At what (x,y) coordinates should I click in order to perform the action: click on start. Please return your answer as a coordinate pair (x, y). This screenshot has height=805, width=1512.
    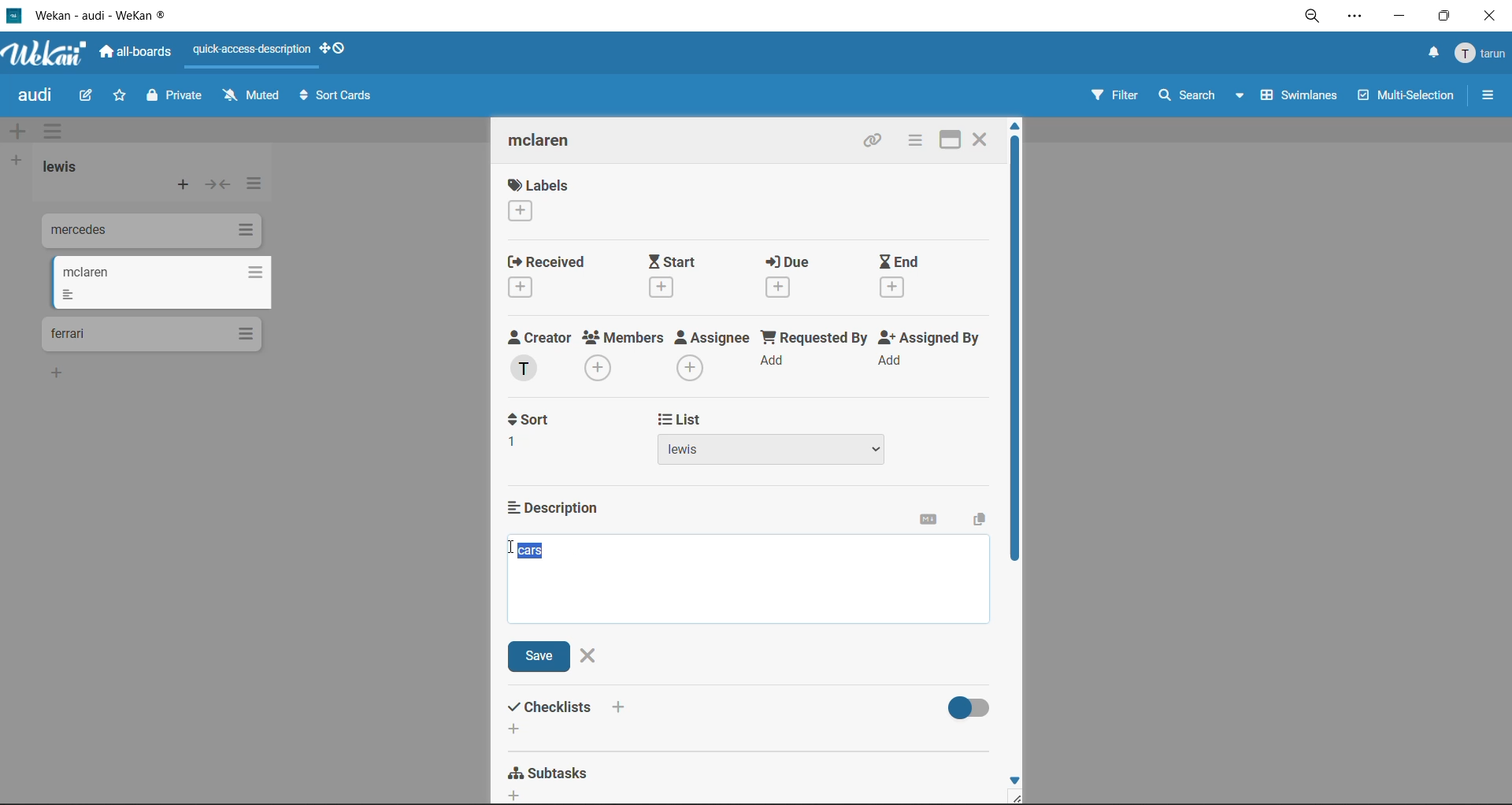
    Looking at the image, I should click on (678, 276).